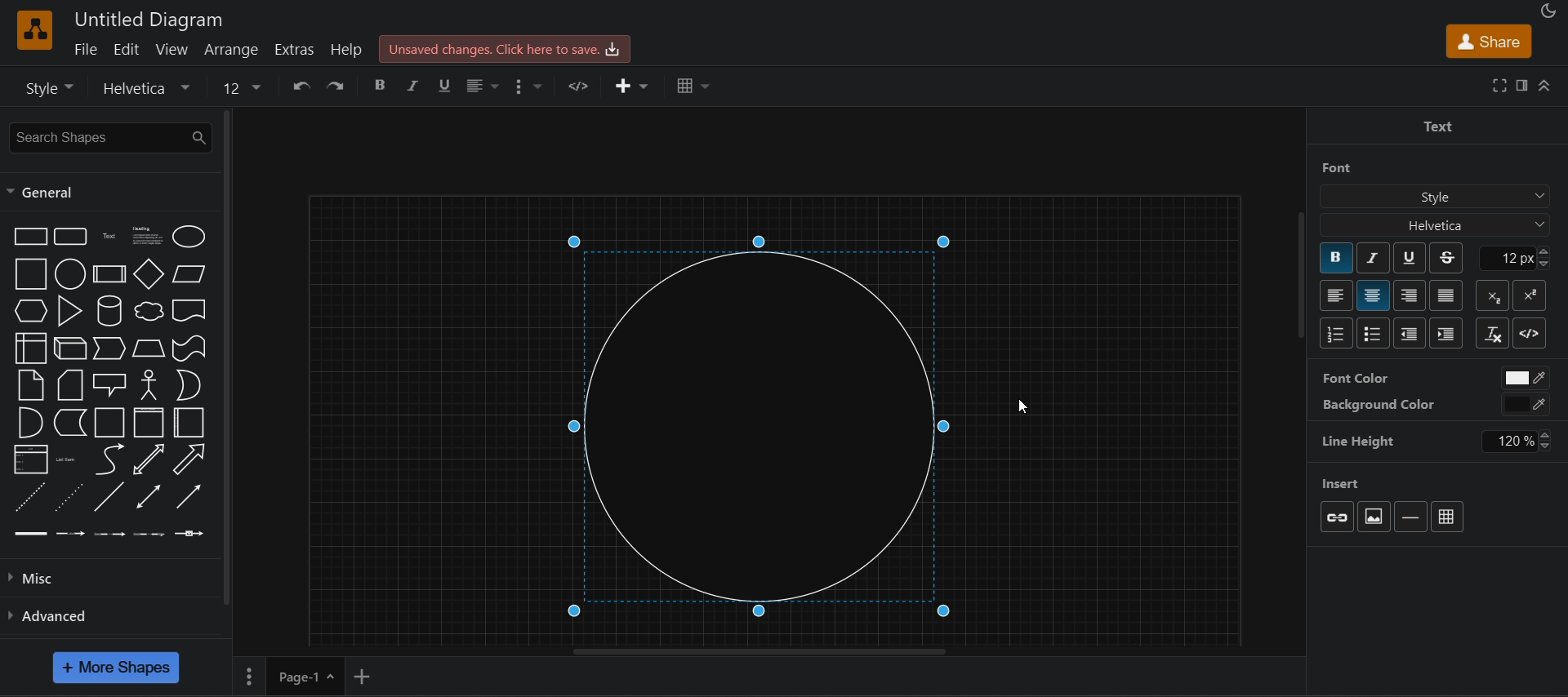  I want to click on font size, so click(238, 89).